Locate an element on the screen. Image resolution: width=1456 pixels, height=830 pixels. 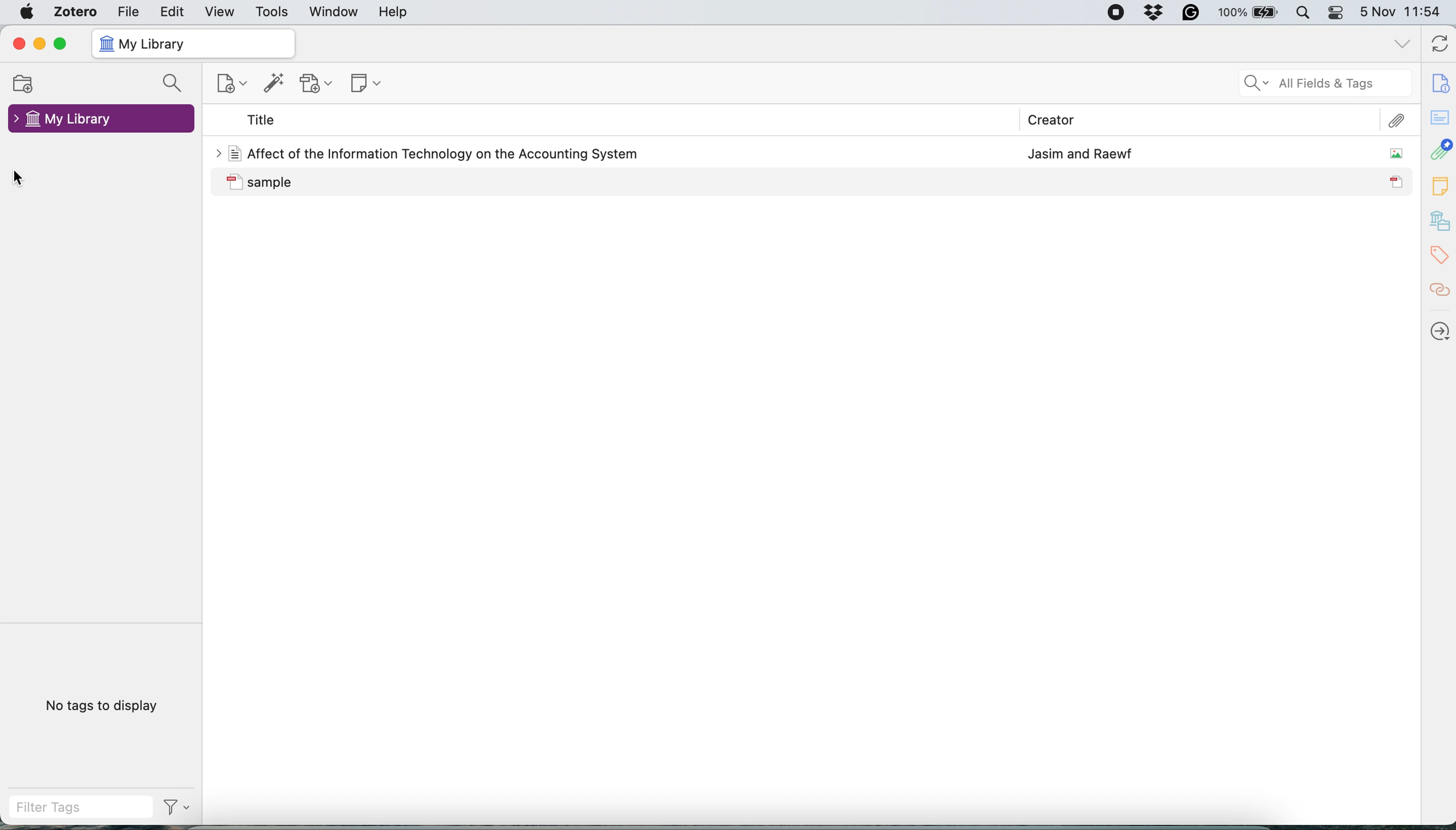
add item by identifier is located at coordinates (275, 81).